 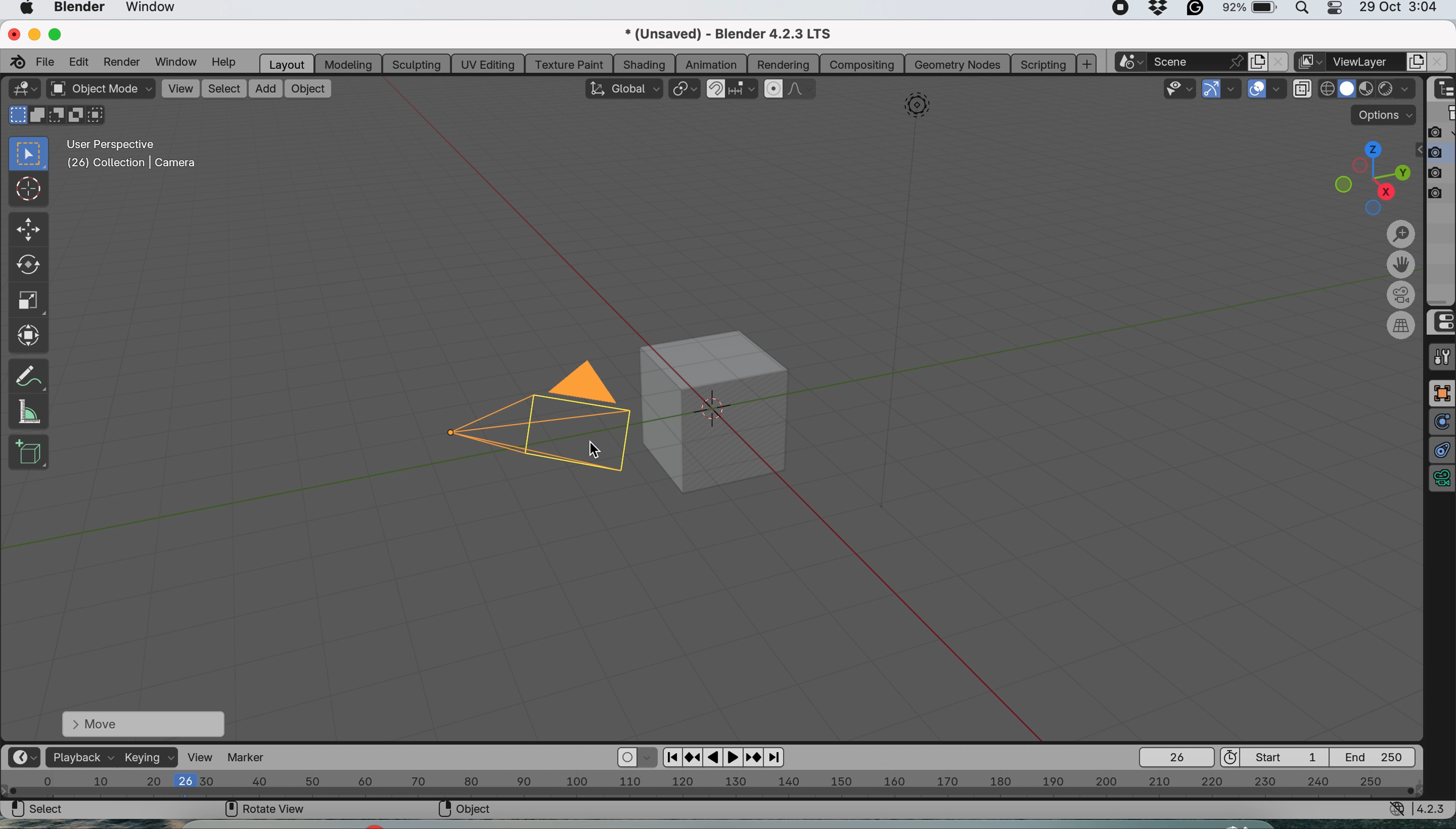 I want to click on drop down, so click(x=1398, y=91).